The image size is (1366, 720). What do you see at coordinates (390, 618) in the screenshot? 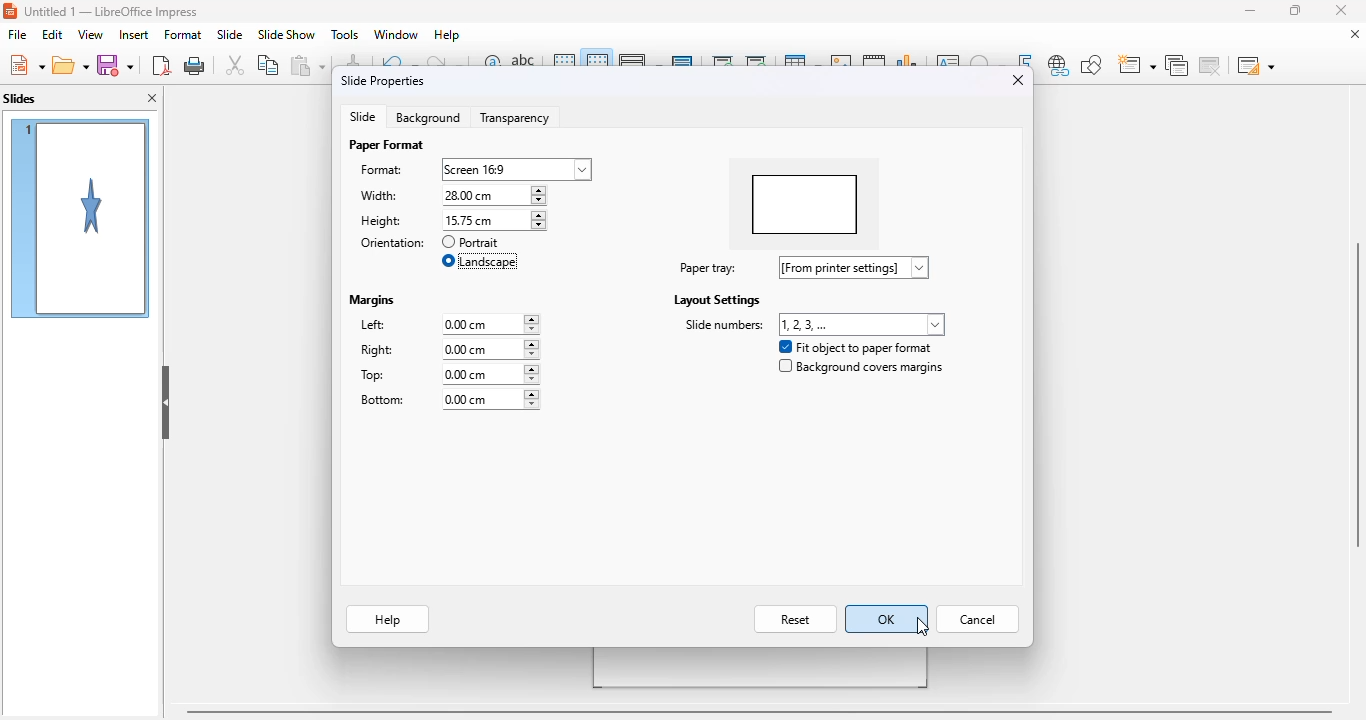
I see `help` at bounding box center [390, 618].